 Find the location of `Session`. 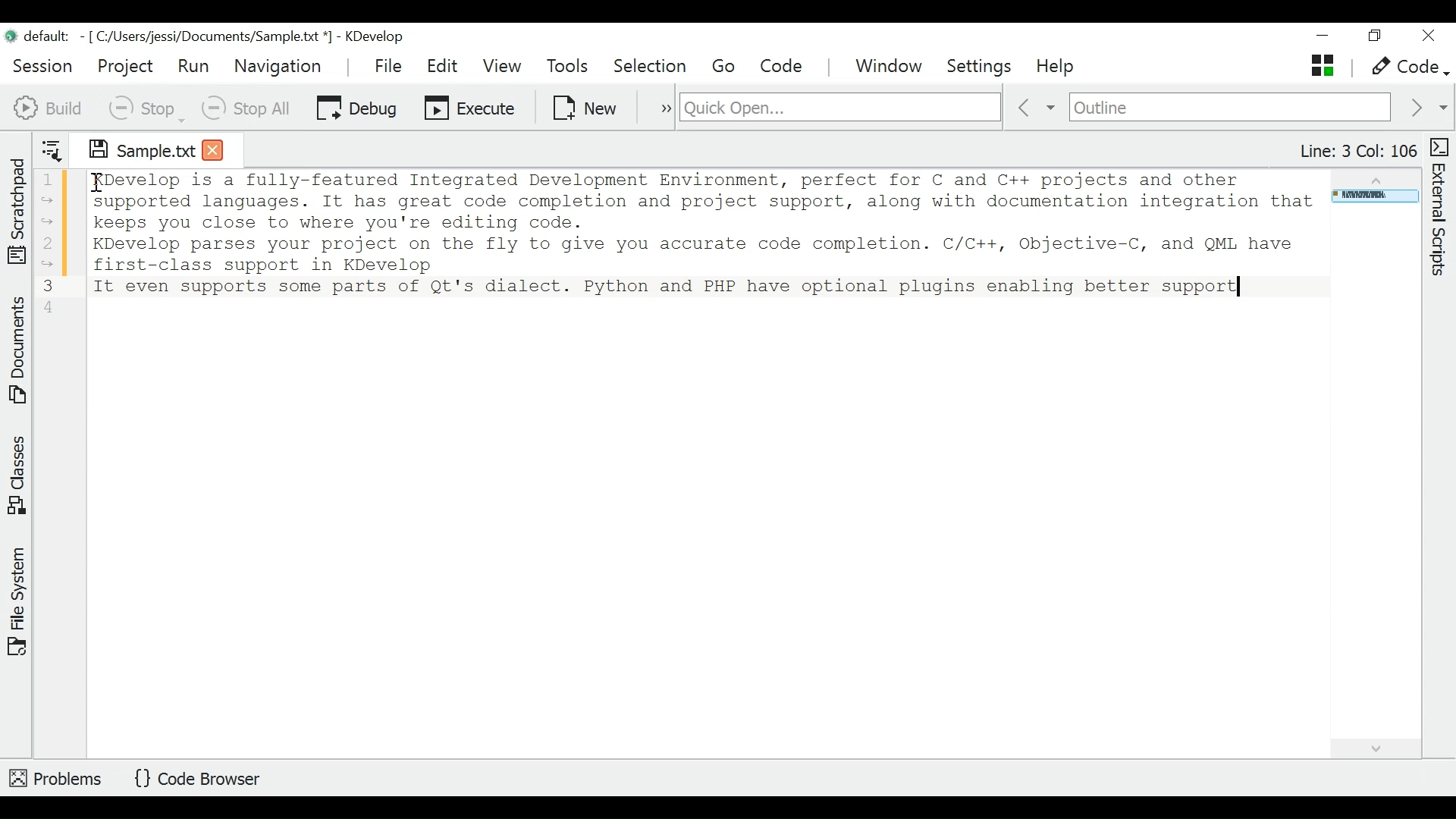

Session is located at coordinates (43, 64).